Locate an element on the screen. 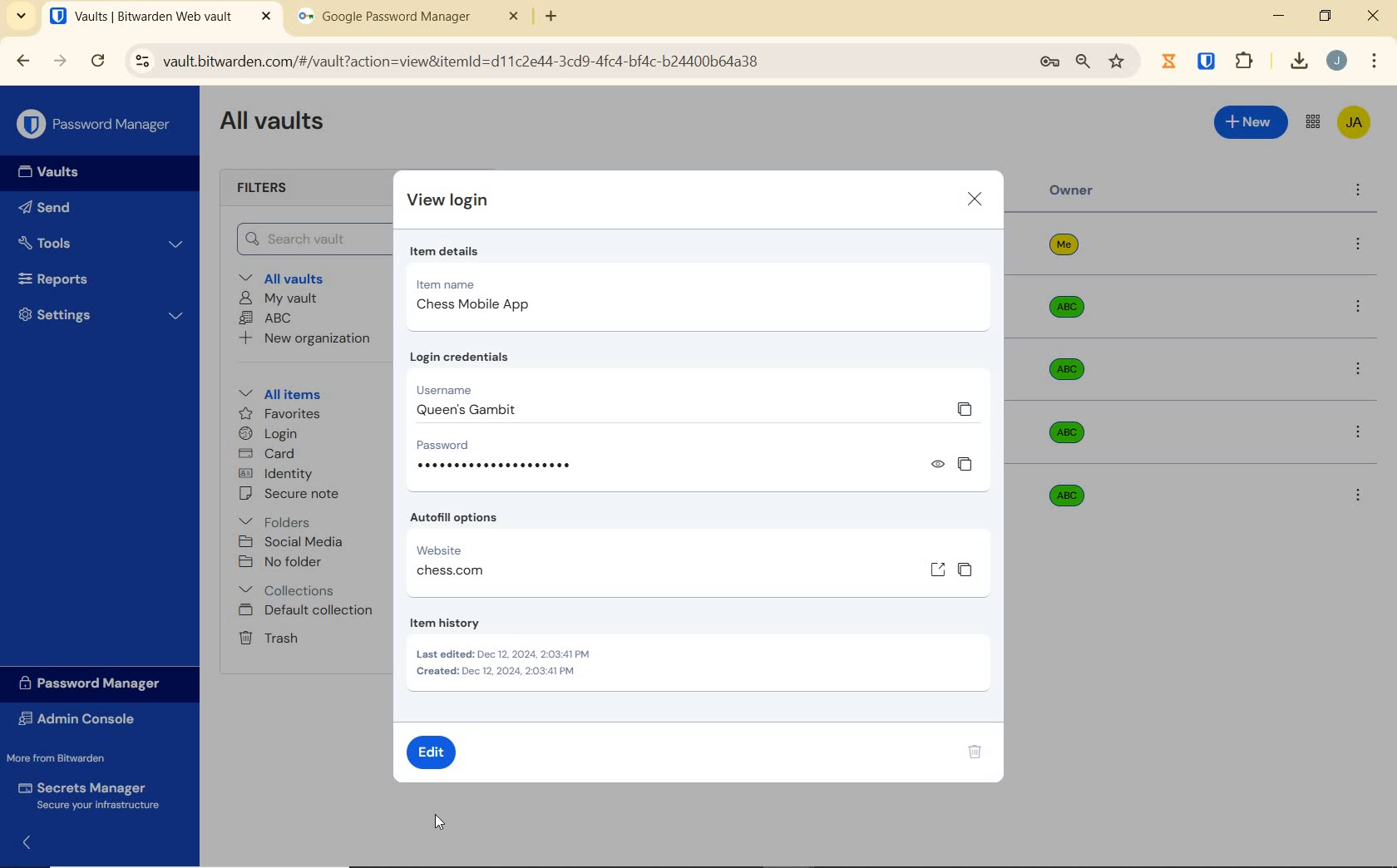  Queen's gambit is located at coordinates (458, 411).